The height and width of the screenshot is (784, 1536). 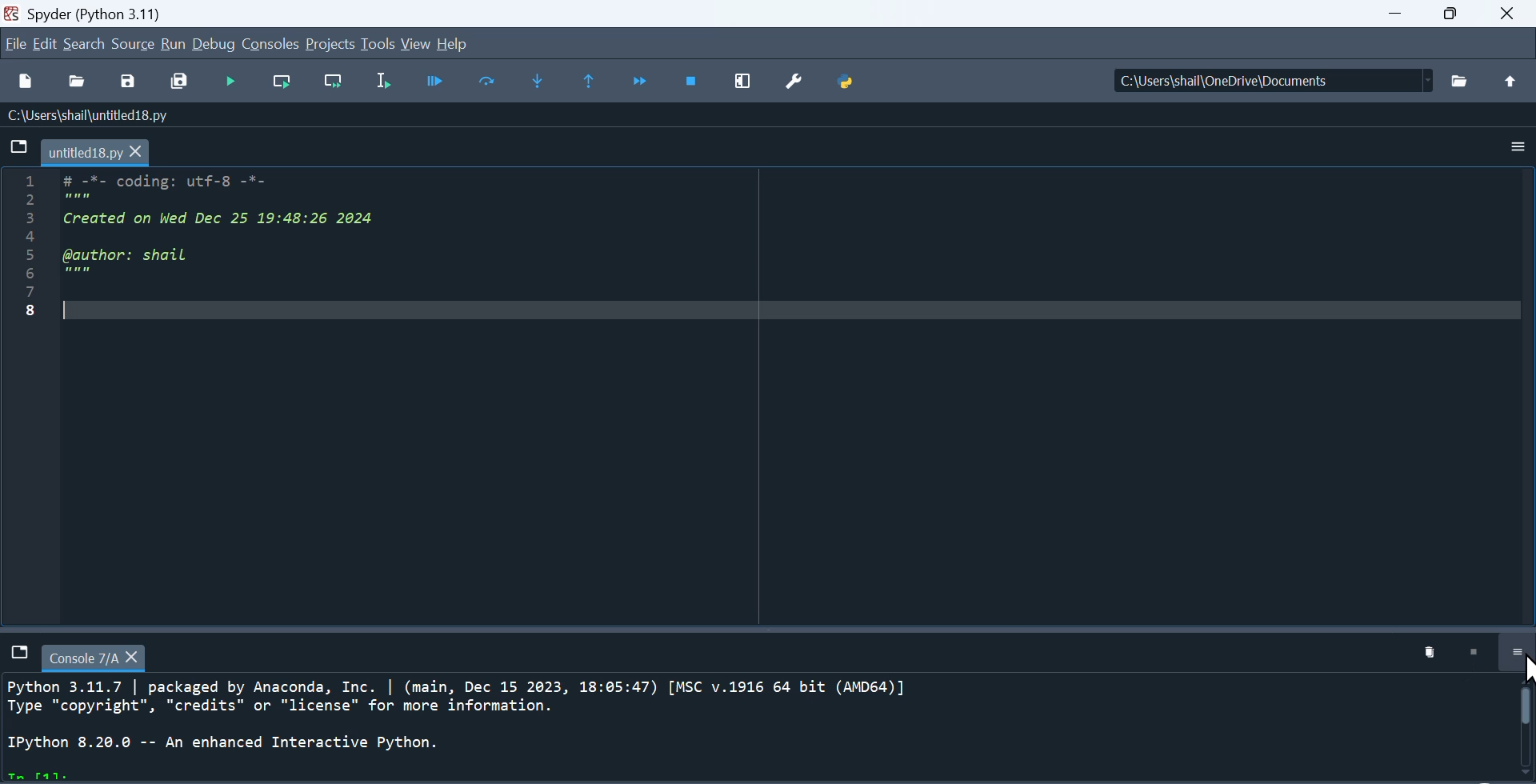 I want to click on python path manager, so click(x=846, y=80).